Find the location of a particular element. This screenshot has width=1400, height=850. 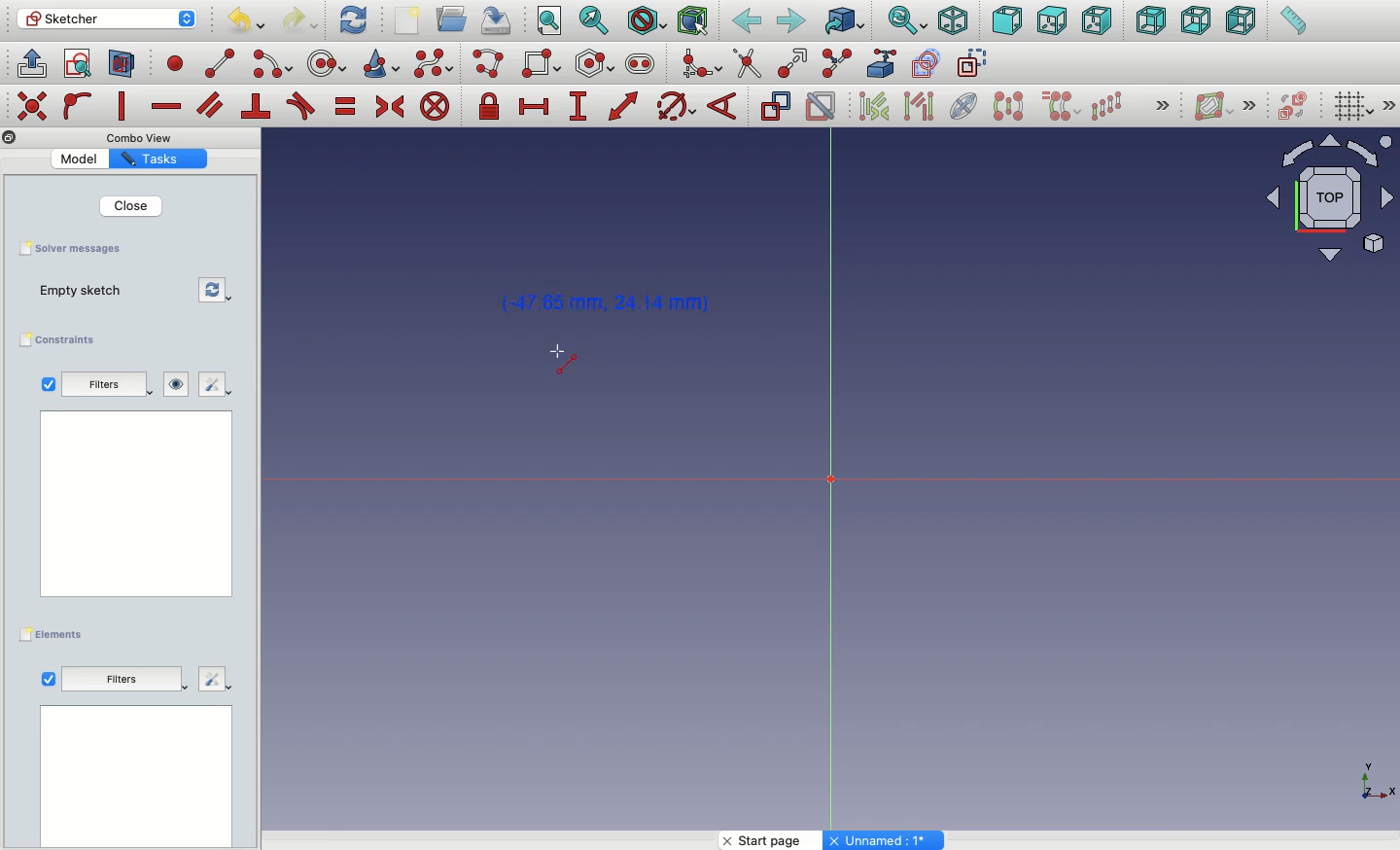

Symmetry is located at coordinates (1007, 106).